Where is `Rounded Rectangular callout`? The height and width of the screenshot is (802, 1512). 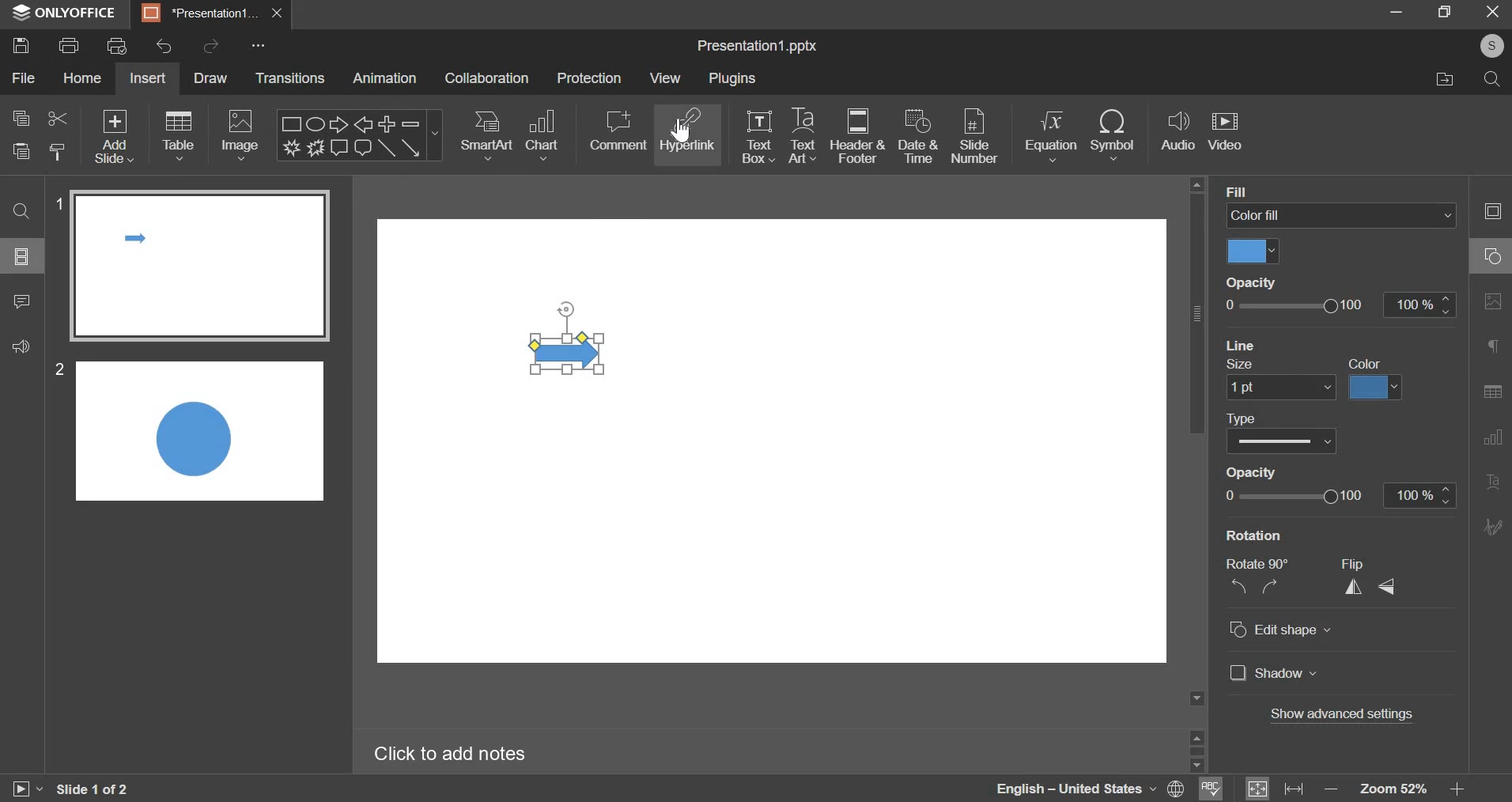 Rounded Rectangular callout is located at coordinates (363, 148).